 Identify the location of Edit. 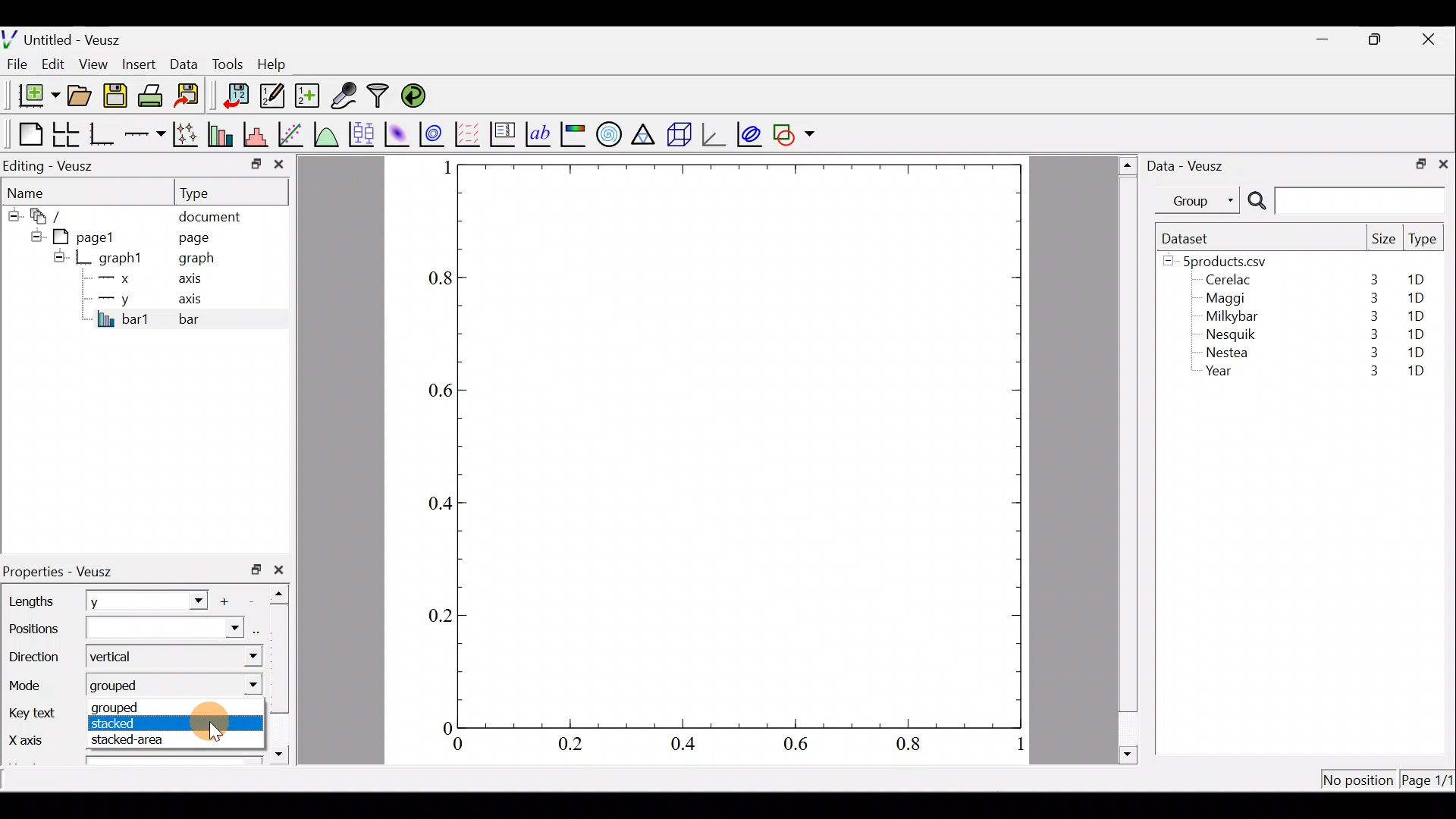
(53, 63).